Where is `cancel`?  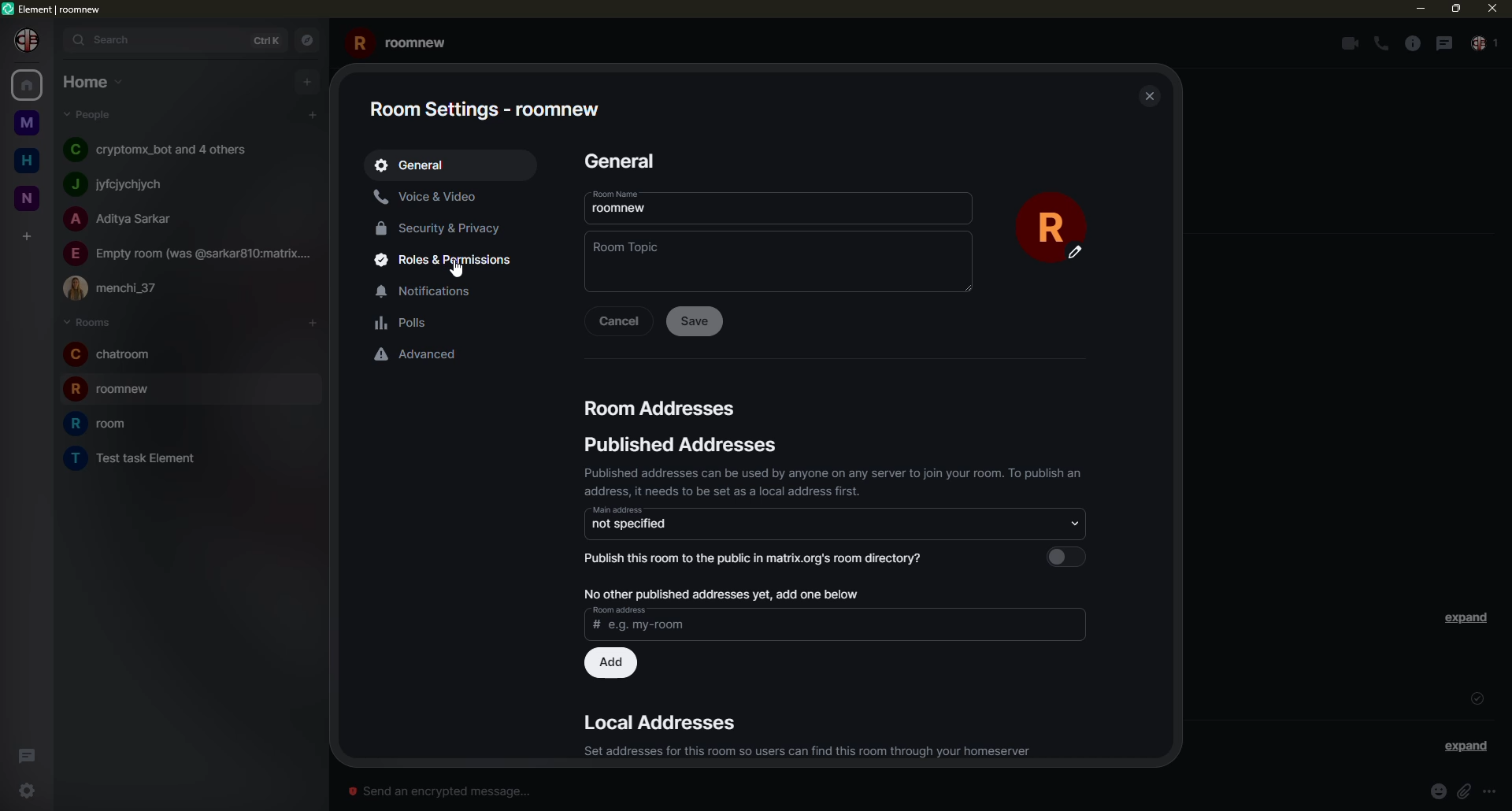
cancel is located at coordinates (621, 319).